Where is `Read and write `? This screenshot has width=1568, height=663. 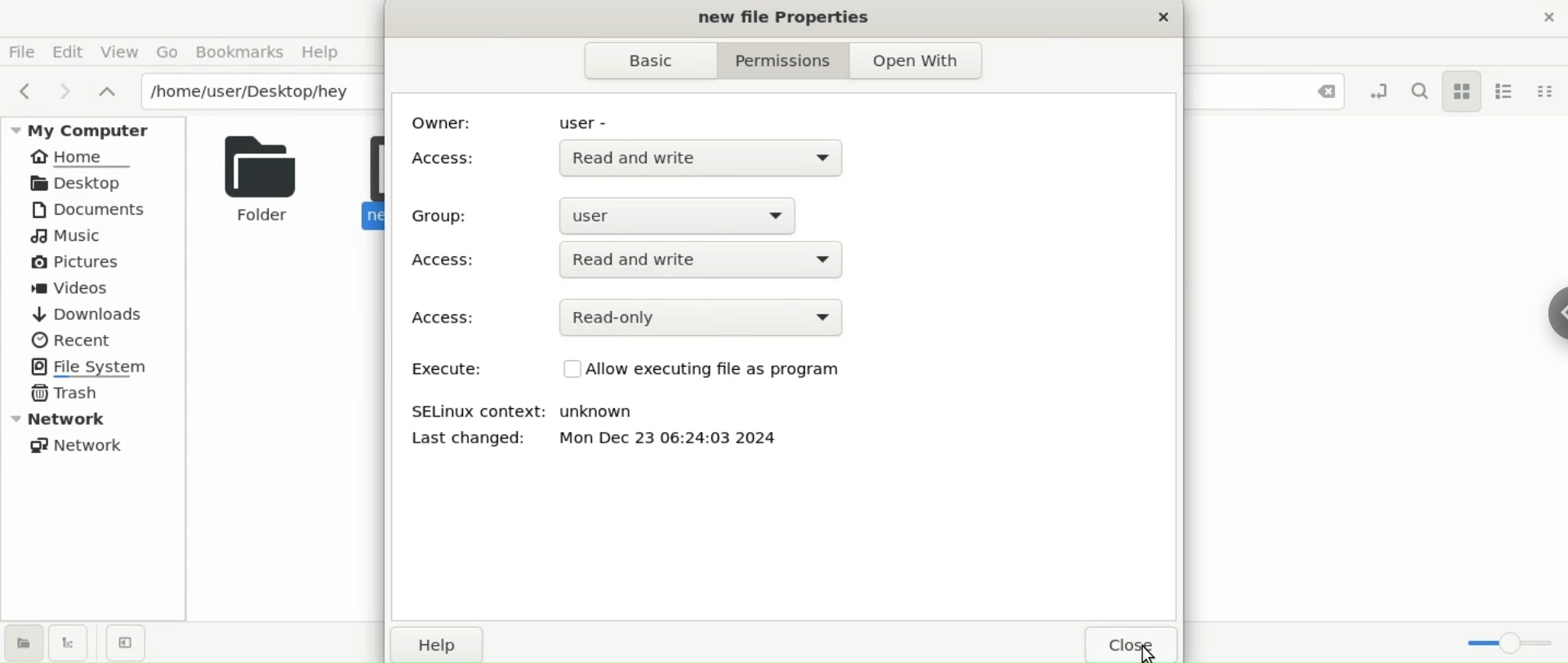
Read and write  is located at coordinates (704, 260).